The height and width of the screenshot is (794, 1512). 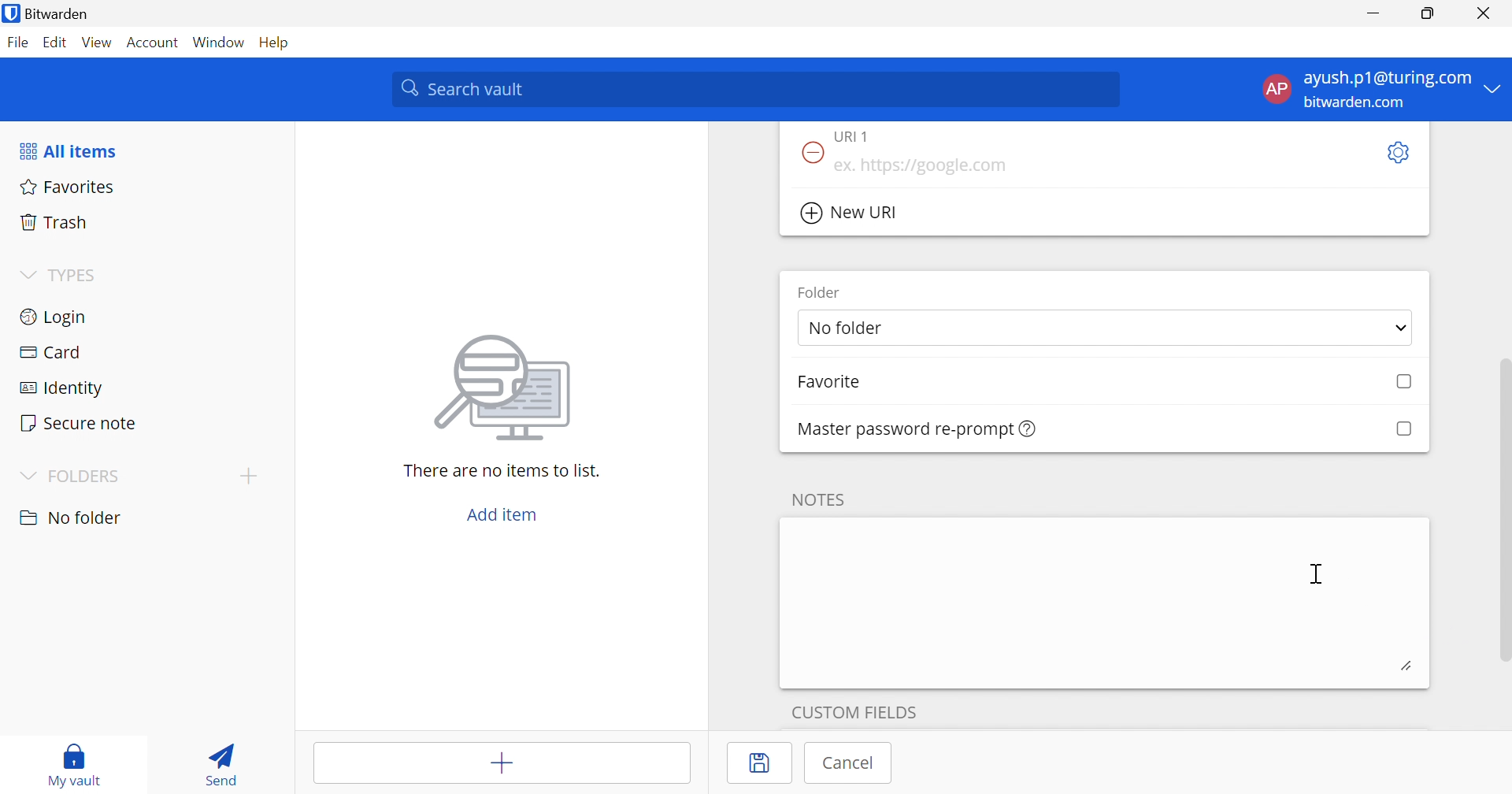 What do you see at coordinates (828, 382) in the screenshot?
I see `Favorite` at bounding box center [828, 382].